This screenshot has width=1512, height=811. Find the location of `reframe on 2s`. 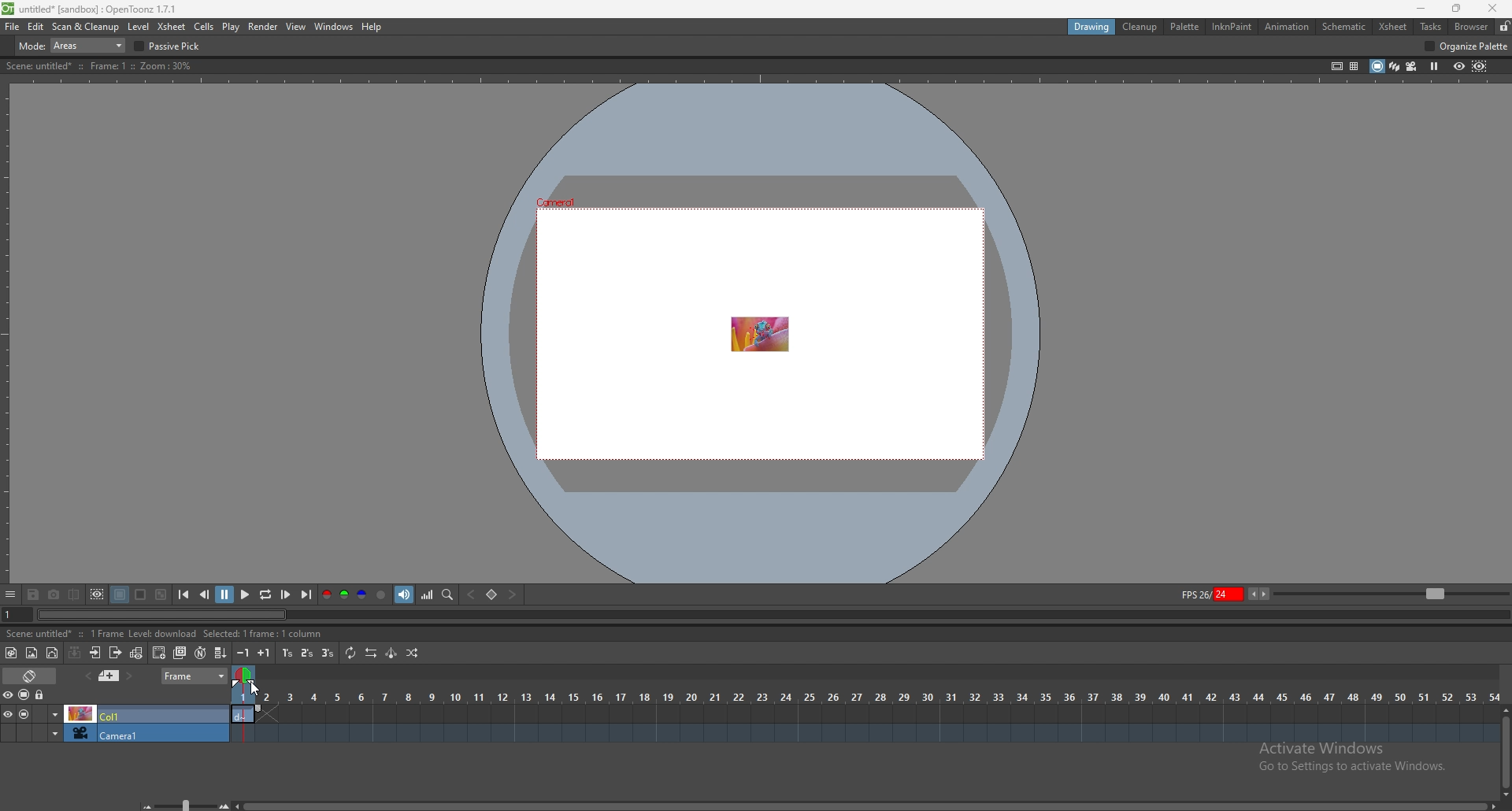

reframe on 2s is located at coordinates (308, 653).